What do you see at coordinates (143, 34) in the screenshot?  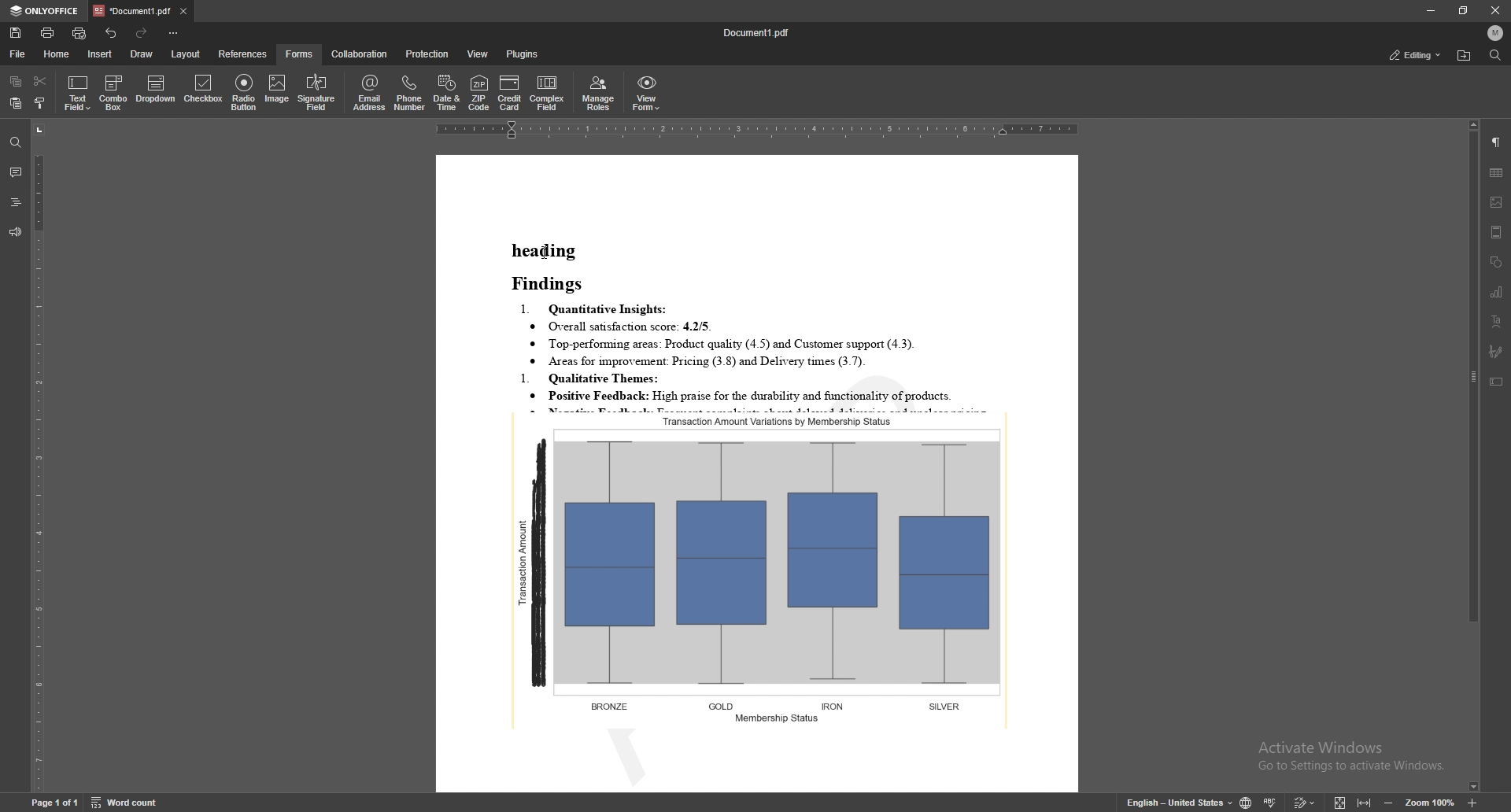 I see `redo` at bounding box center [143, 34].